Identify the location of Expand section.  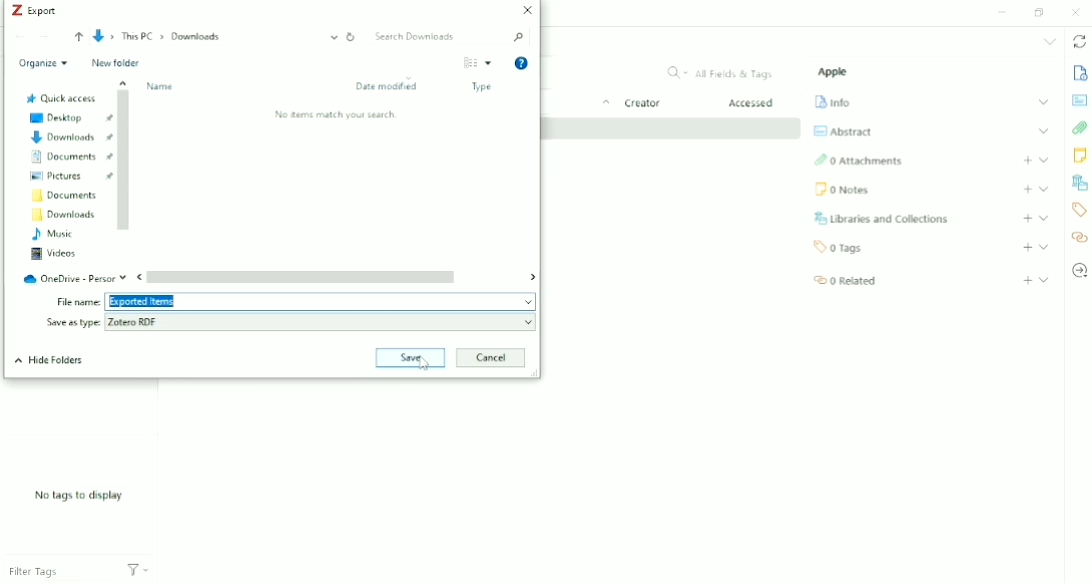
(1043, 102).